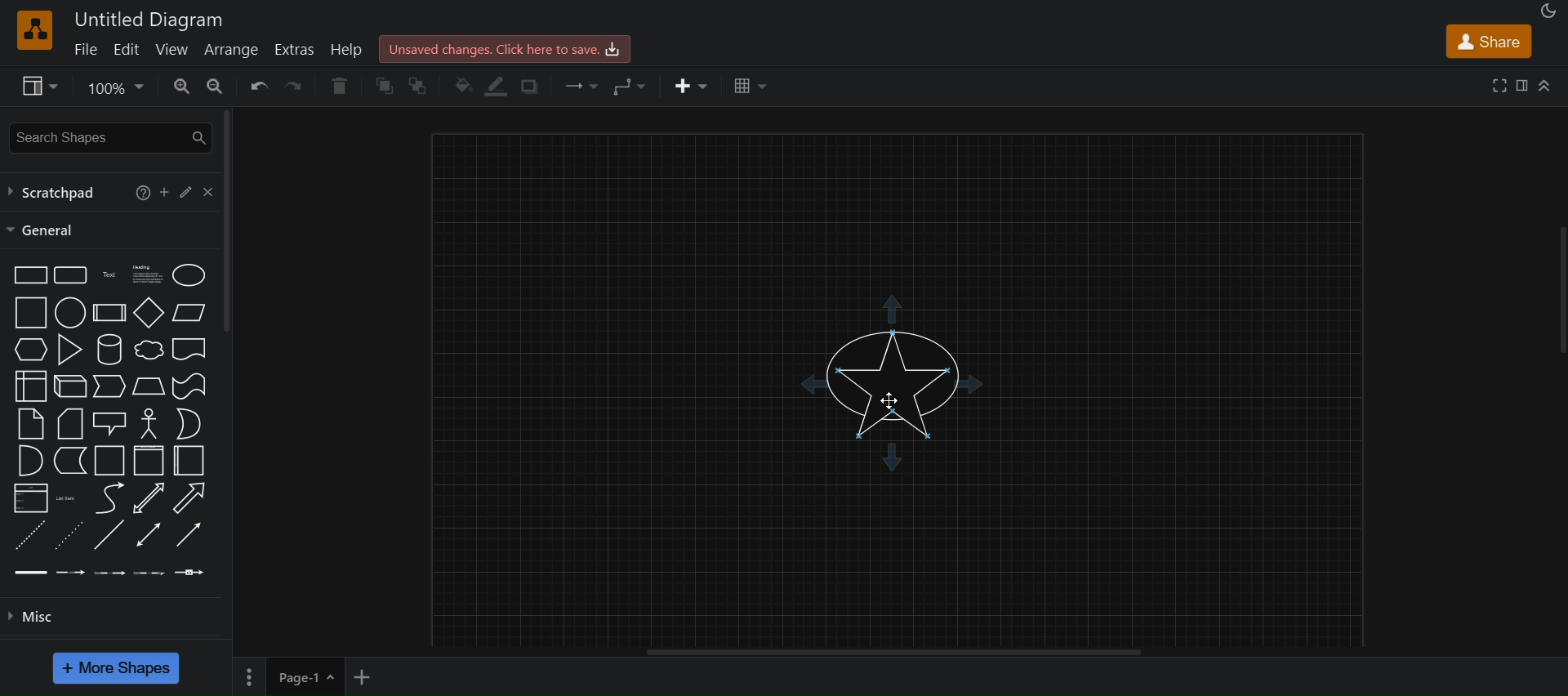  I want to click on arrange, so click(230, 49).